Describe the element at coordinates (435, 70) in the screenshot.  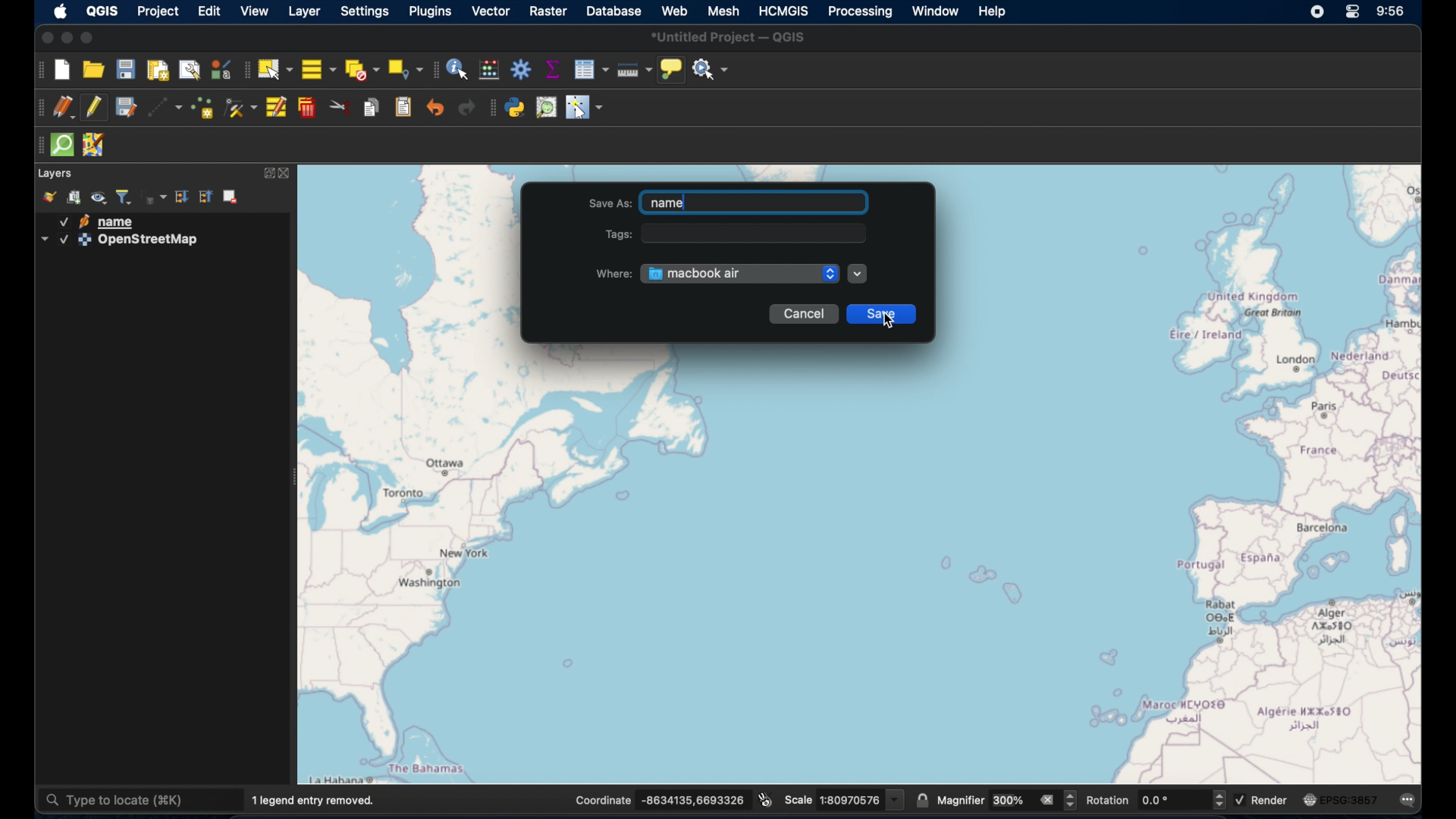
I see `attributes toolbar` at that location.